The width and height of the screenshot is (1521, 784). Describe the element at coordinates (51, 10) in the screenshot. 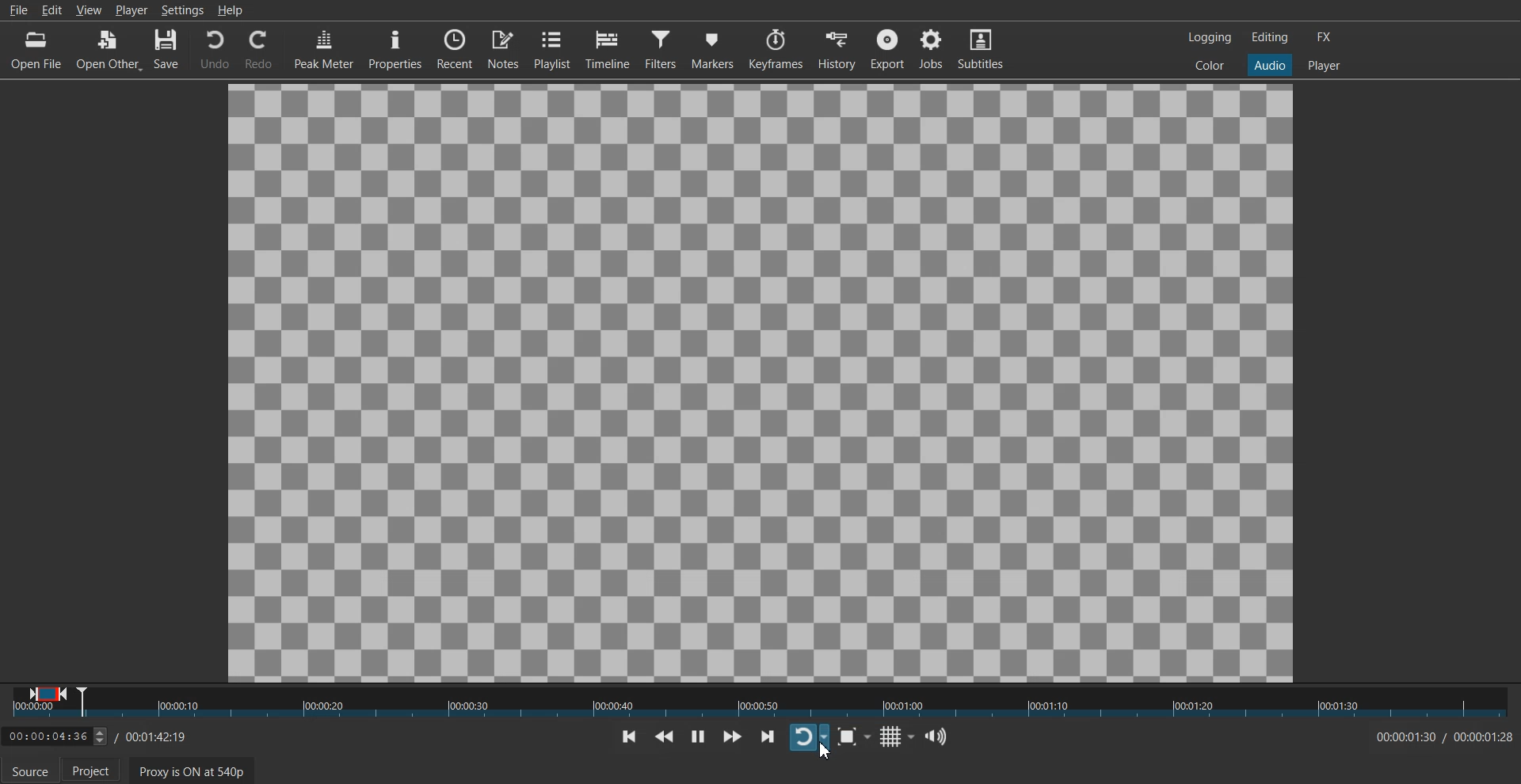

I see `Edit` at that location.